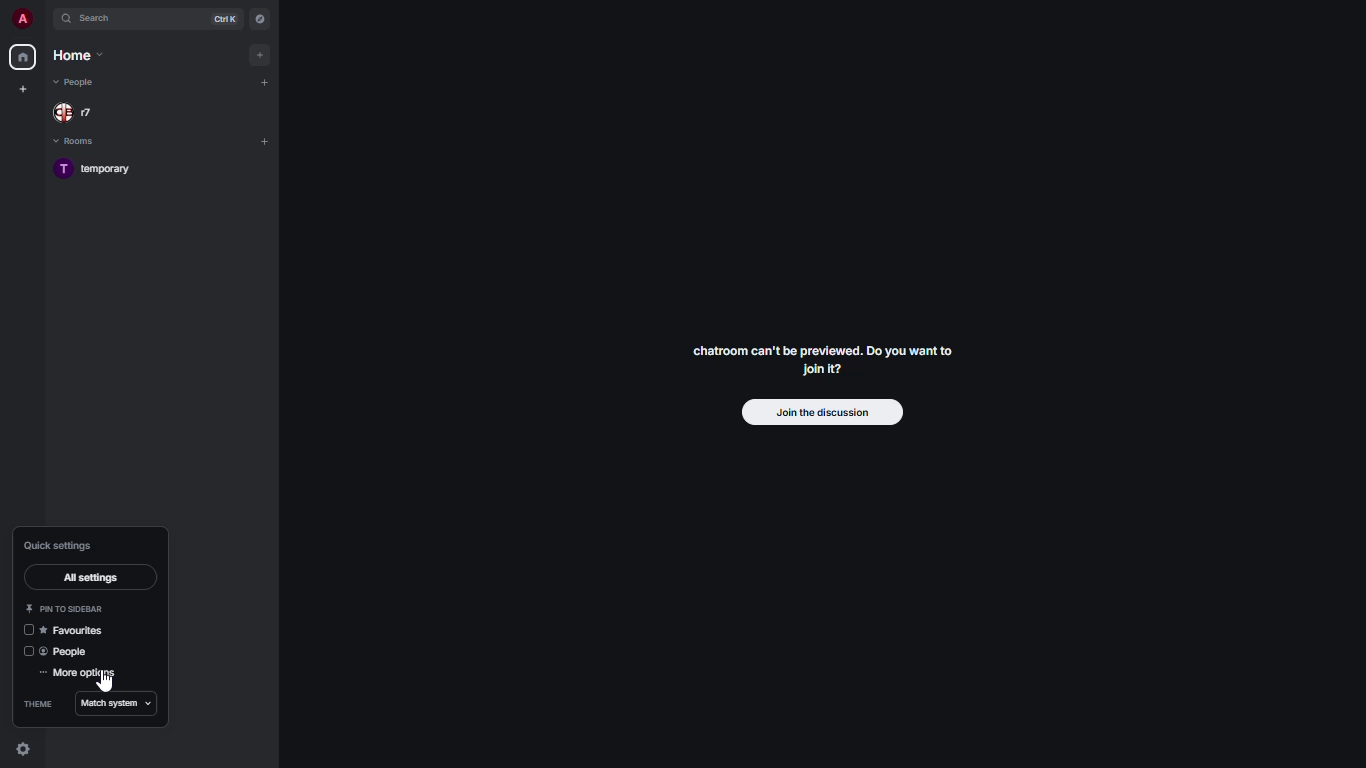  What do you see at coordinates (89, 577) in the screenshot?
I see `all settings` at bounding box center [89, 577].